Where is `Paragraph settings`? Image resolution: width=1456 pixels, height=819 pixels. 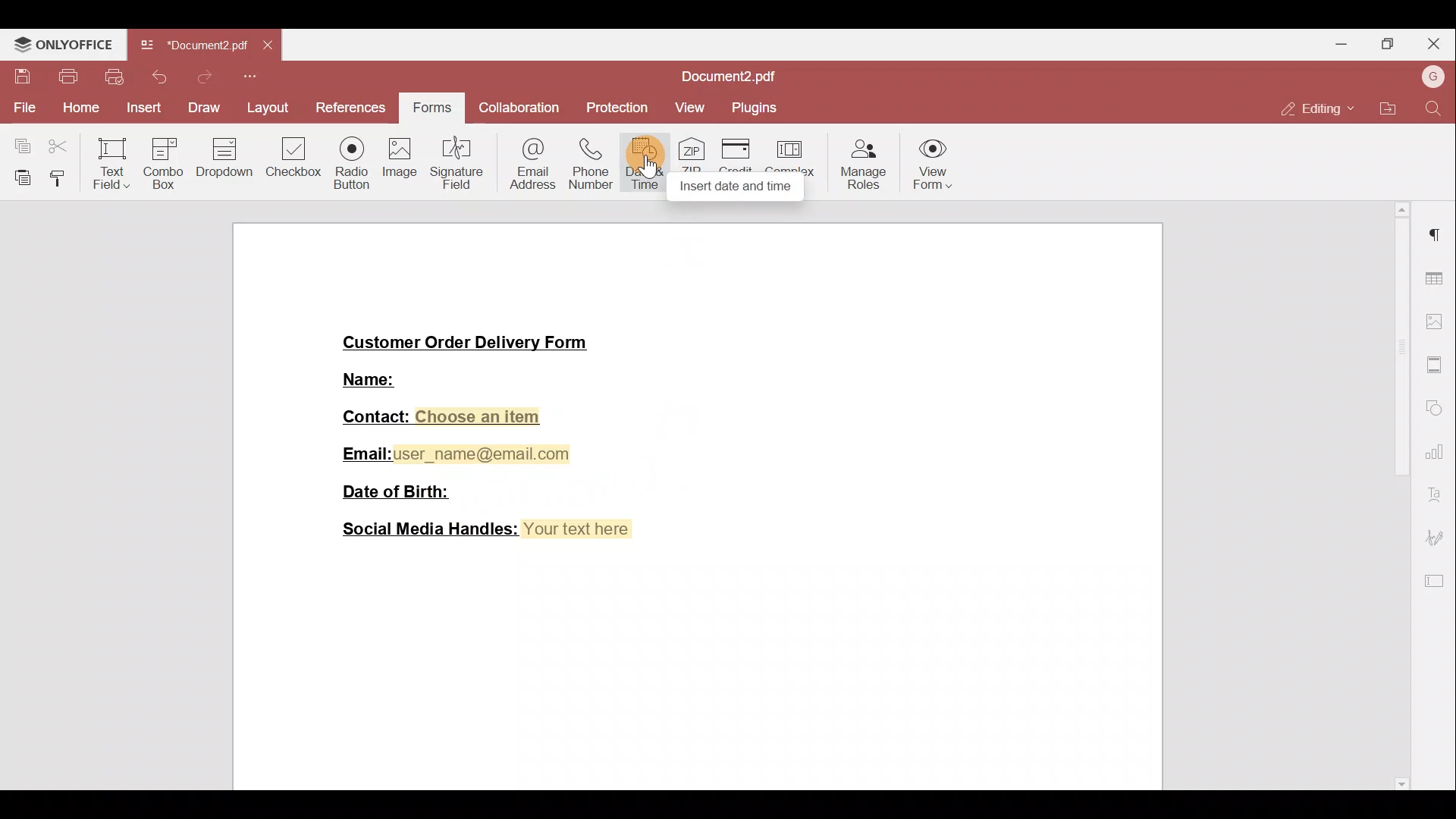 Paragraph settings is located at coordinates (1439, 234).